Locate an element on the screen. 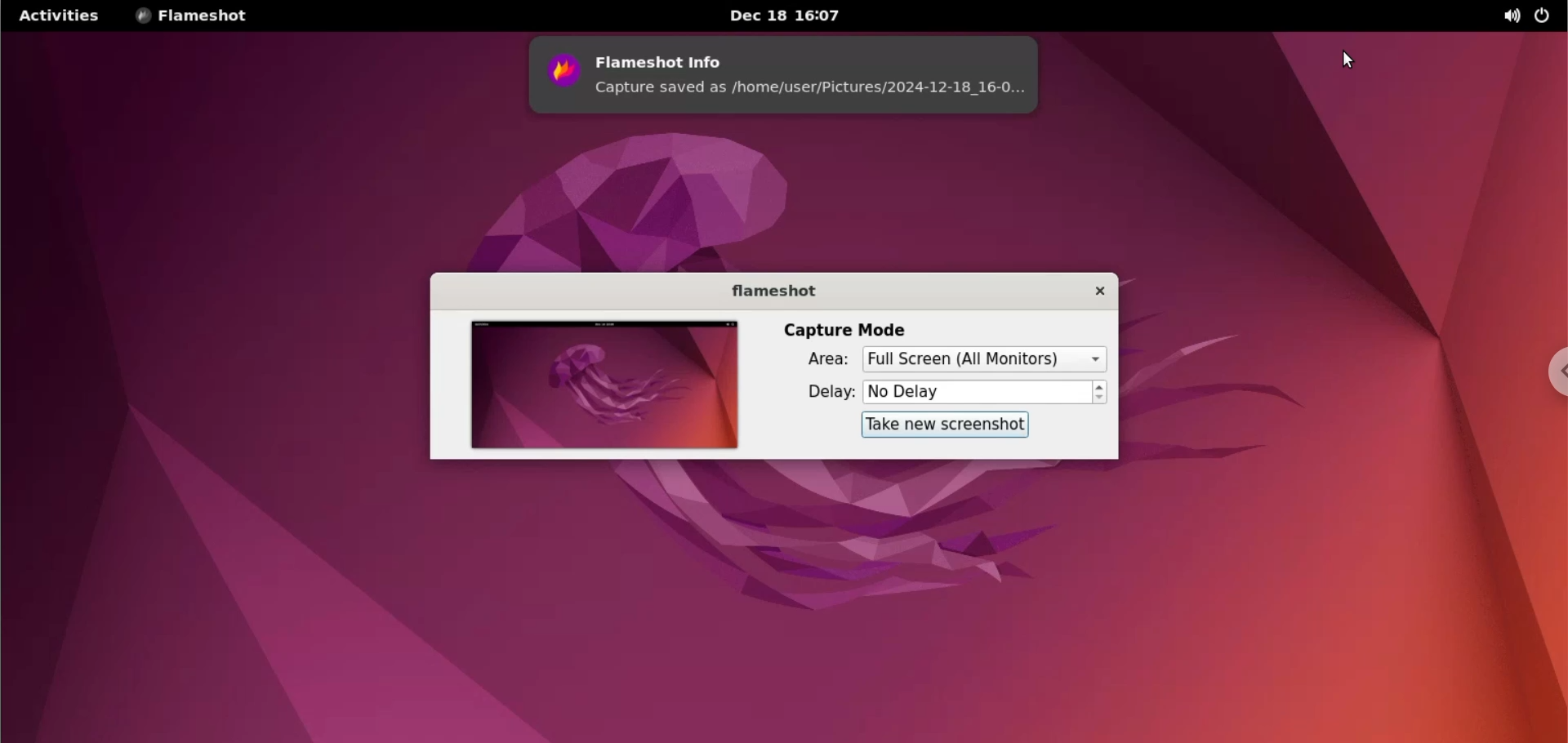 This screenshot has height=743, width=1568. date and time is located at coordinates (796, 16).